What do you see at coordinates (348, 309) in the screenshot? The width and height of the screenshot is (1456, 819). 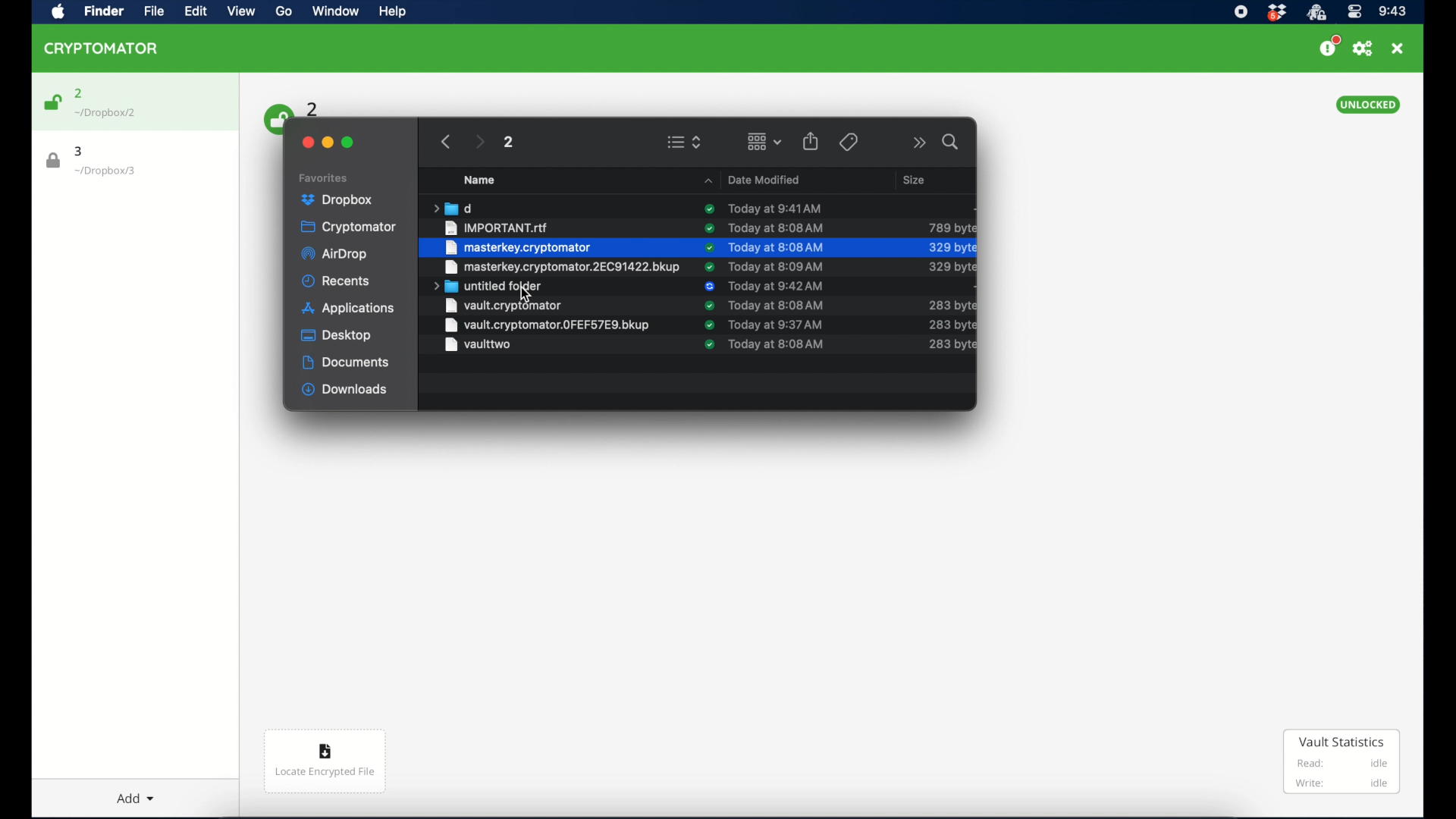 I see `applications` at bounding box center [348, 309].